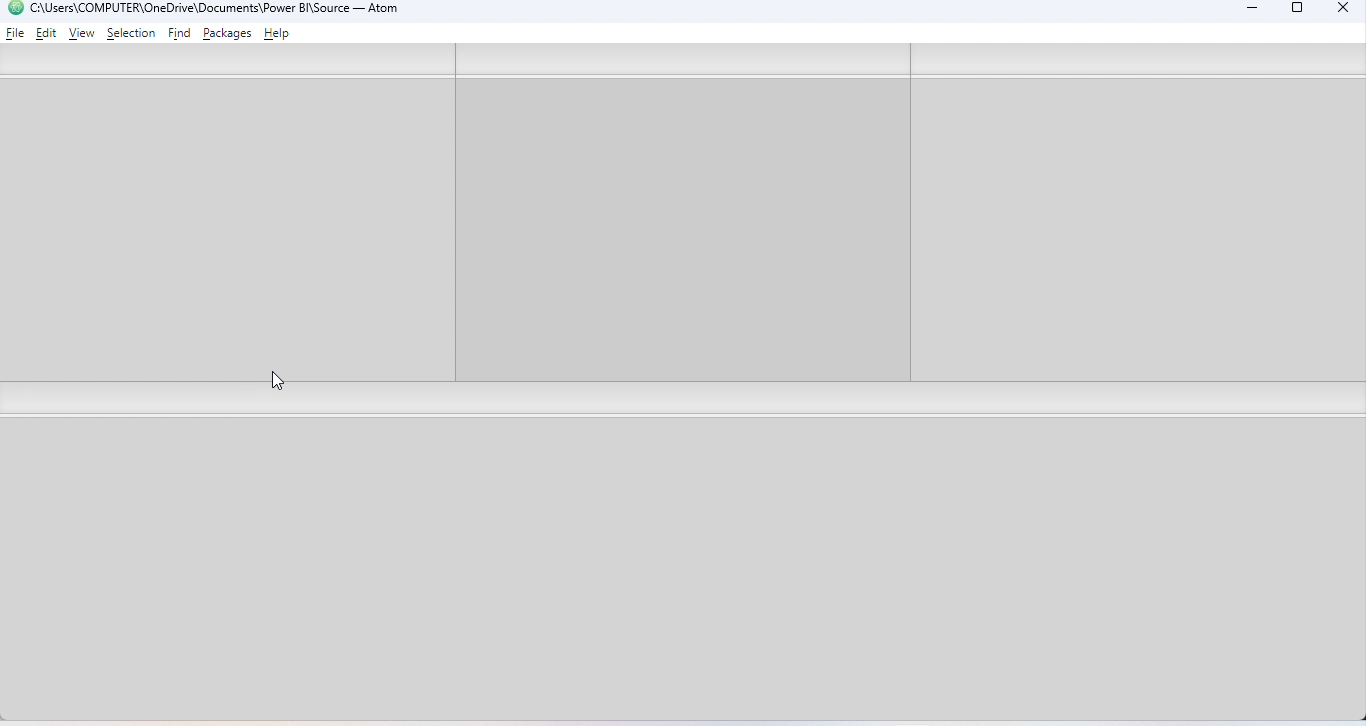 The width and height of the screenshot is (1366, 726). Describe the element at coordinates (1338, 10) in the screenshot. I see `Close` at that location.